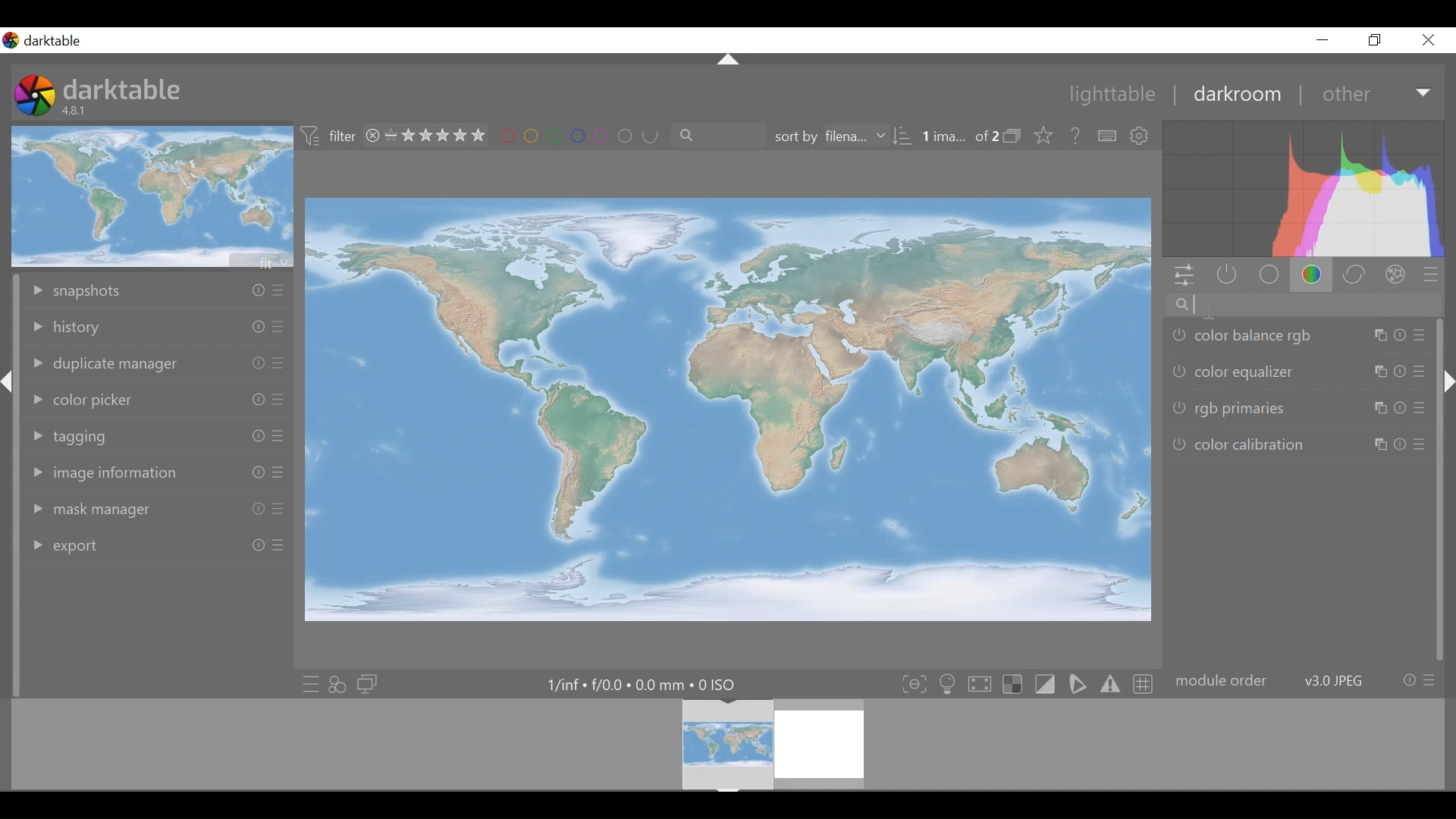 The image size is (1456, 819). Describe the element at coordinates (1302, 406) in the screenshot. I see `rgb primaries` at that location.